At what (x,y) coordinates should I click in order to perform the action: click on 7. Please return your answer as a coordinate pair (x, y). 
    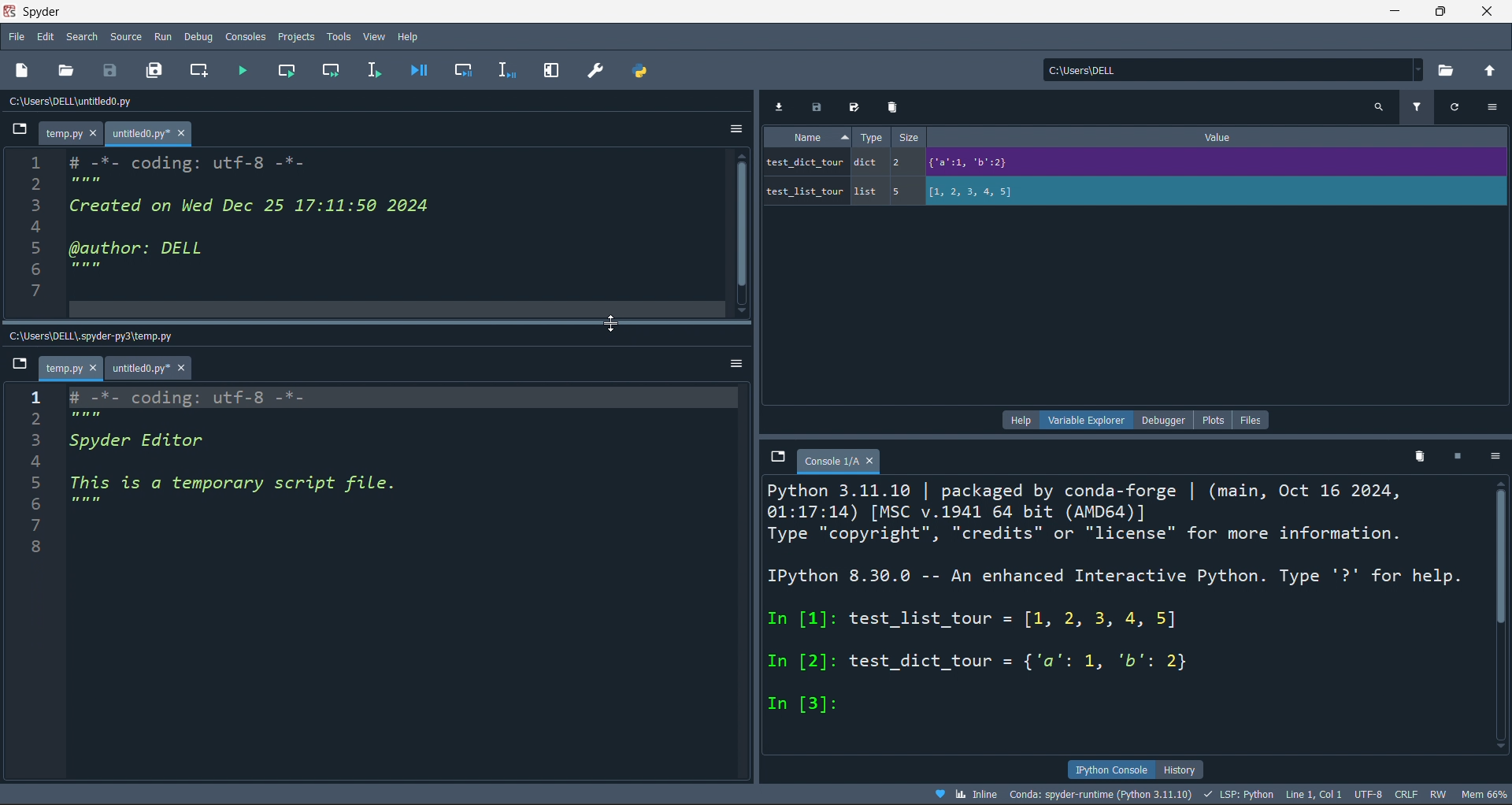
    Looking at the image, I should click on (44, 289).